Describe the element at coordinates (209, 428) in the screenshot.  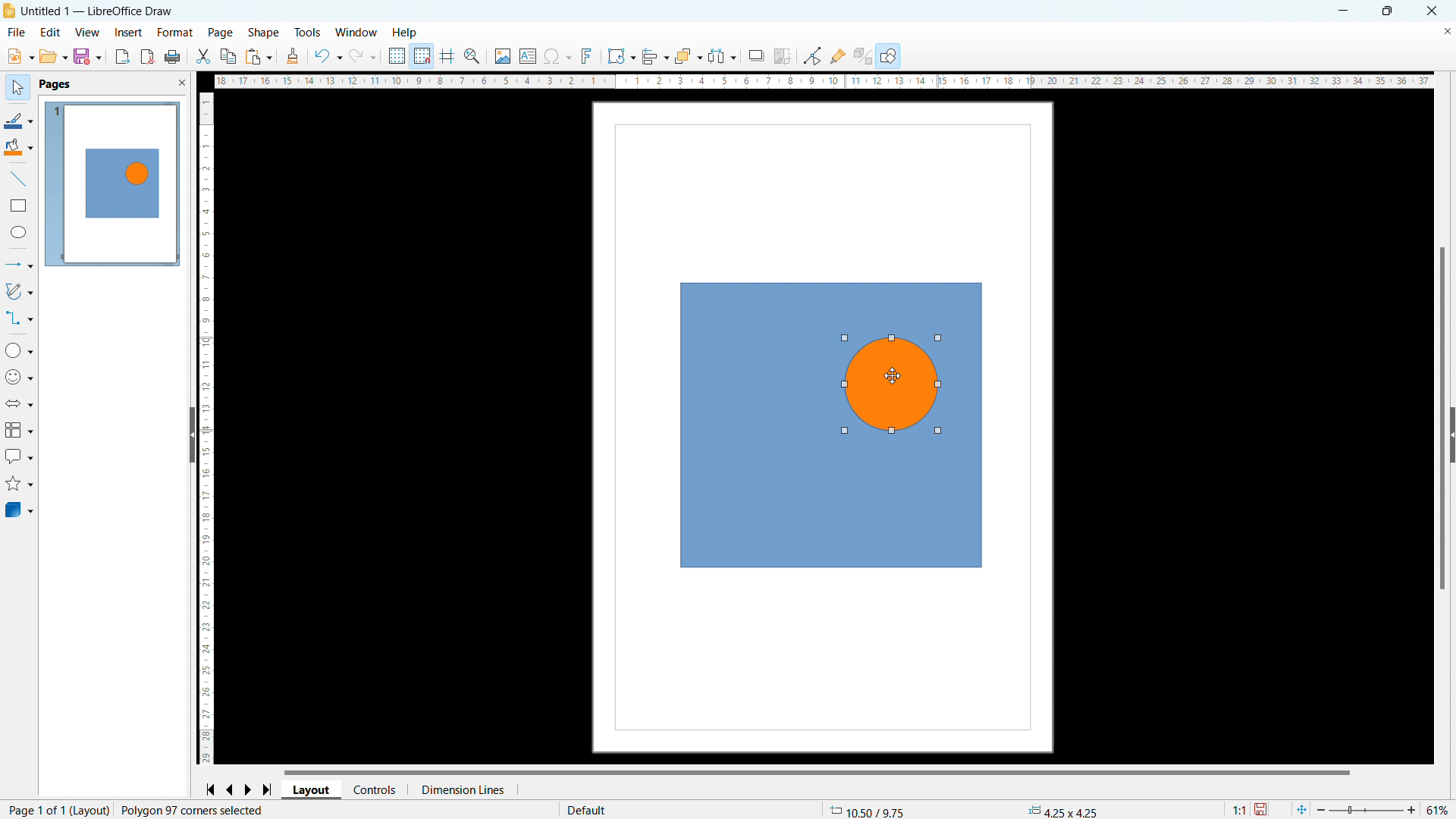
I see `vertical ruler` at that location.